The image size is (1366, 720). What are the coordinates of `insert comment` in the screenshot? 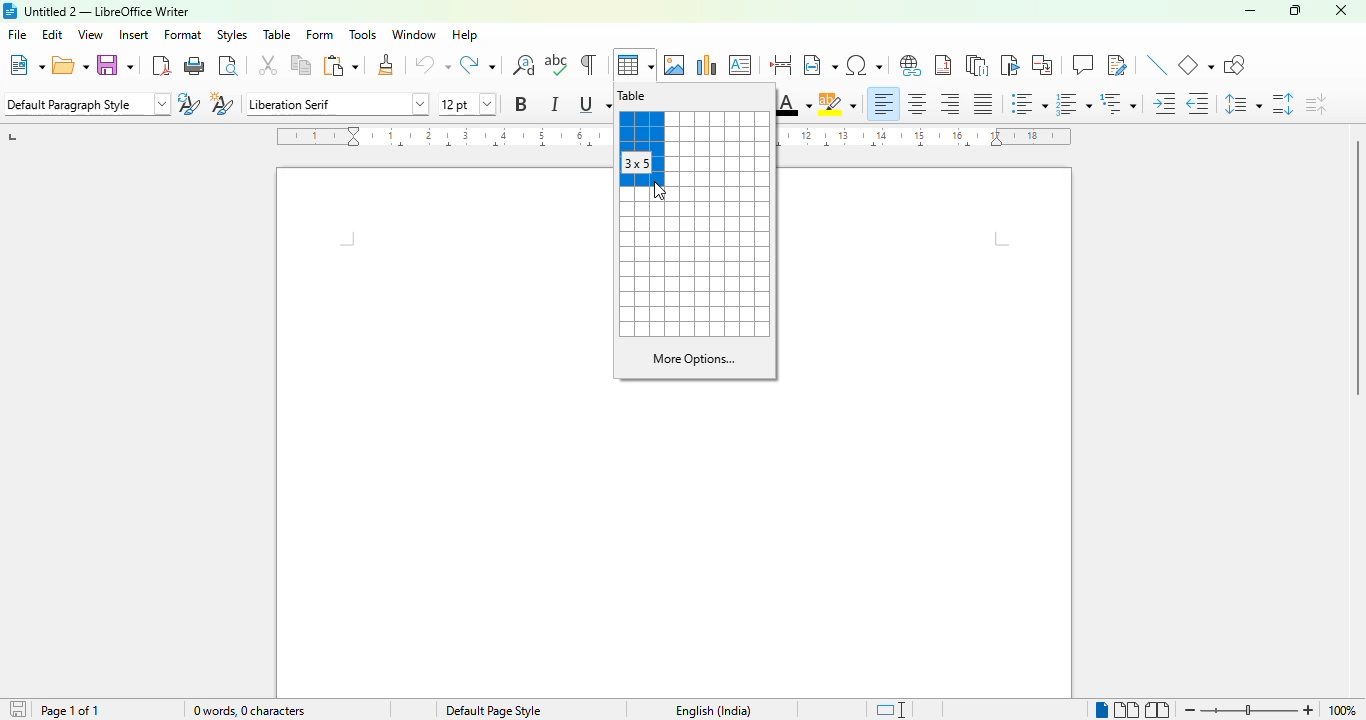 It's located at (1083, 64).